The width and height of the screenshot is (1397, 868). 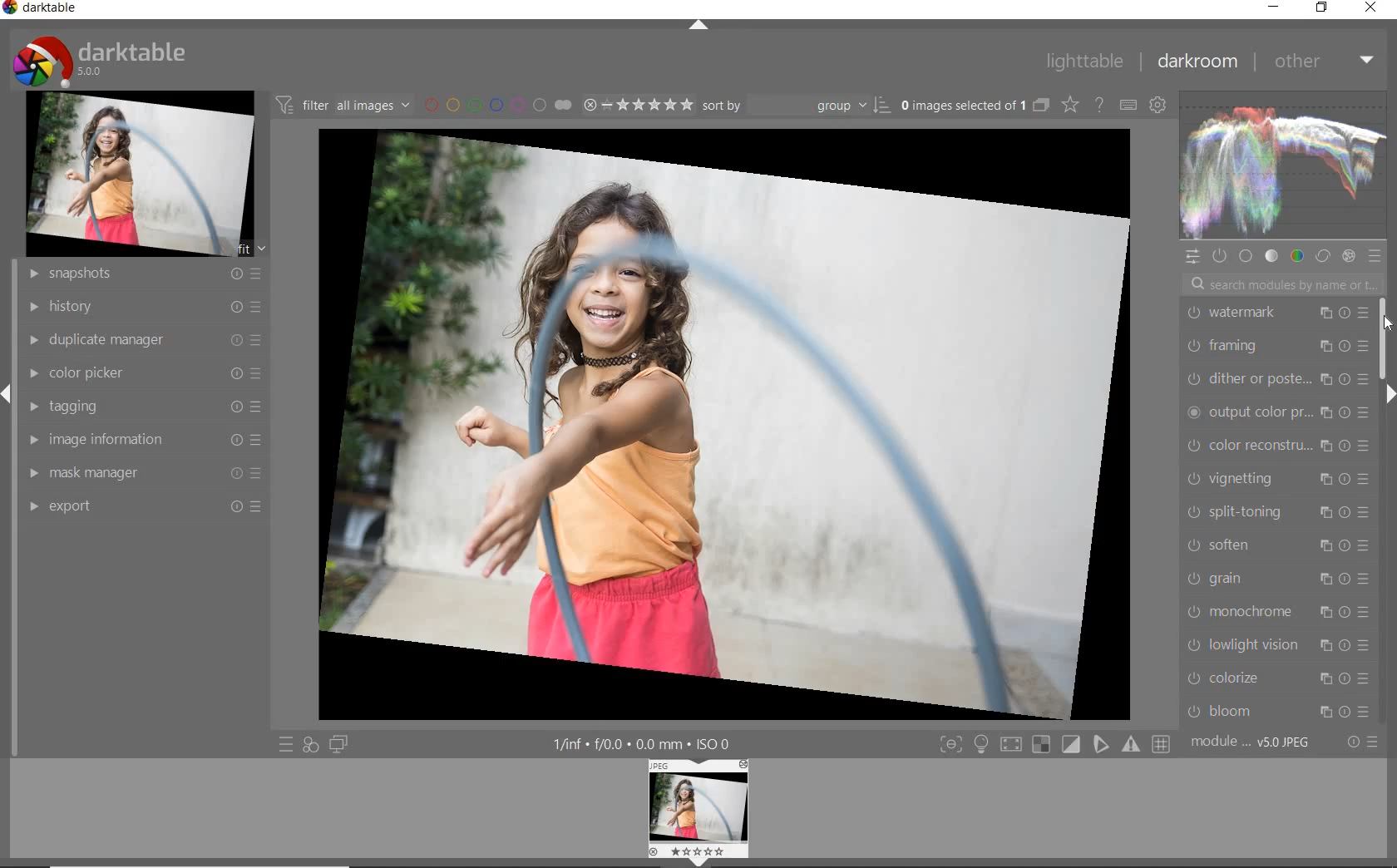 I want to click on system name, so click(x=42, y=10).